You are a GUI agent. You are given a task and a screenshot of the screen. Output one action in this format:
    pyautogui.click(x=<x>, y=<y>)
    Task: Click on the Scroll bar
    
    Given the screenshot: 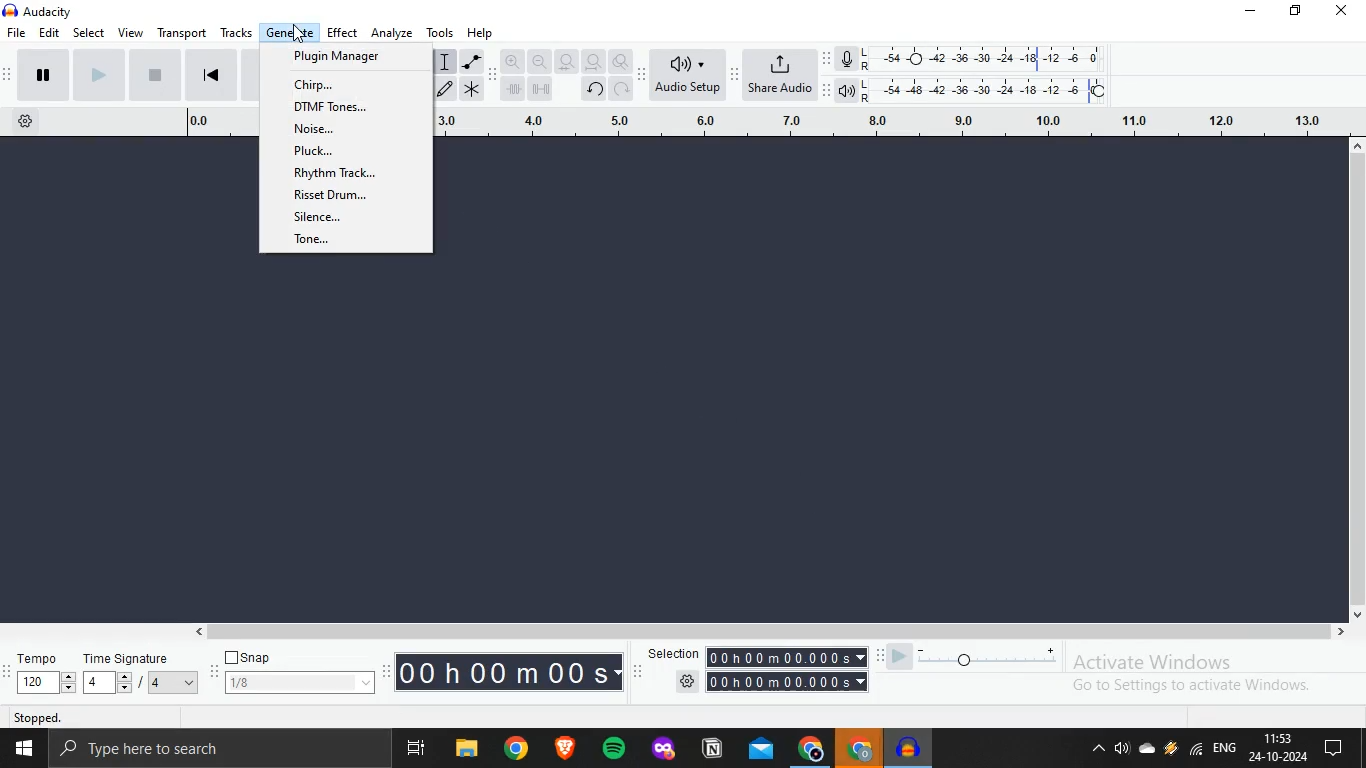 What is the action you would take?
    pyautogui.click(x=1357, y=386)
    